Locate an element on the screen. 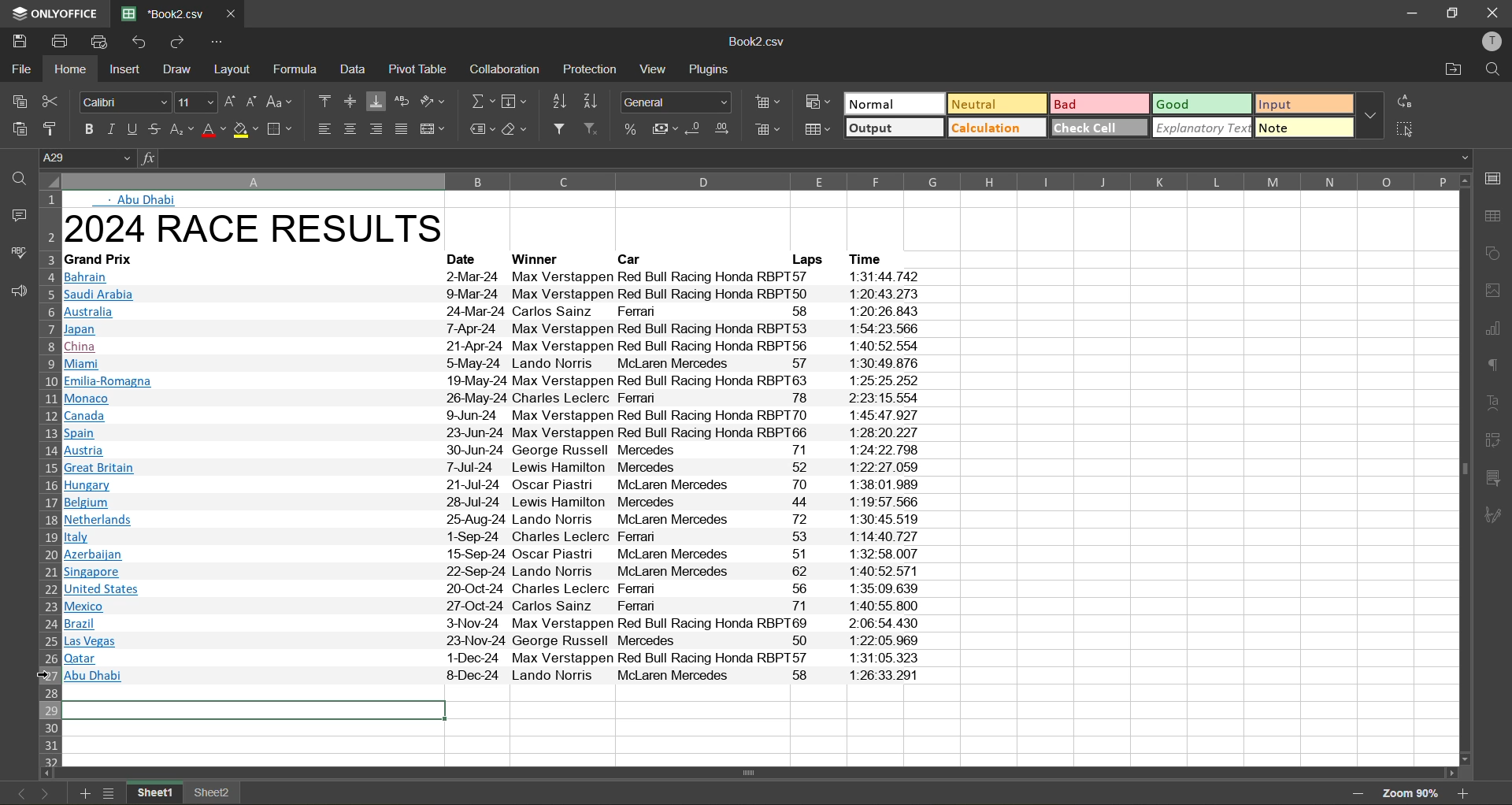 The image size is (1512, 805). increment size is located at coordinates (228, 102).